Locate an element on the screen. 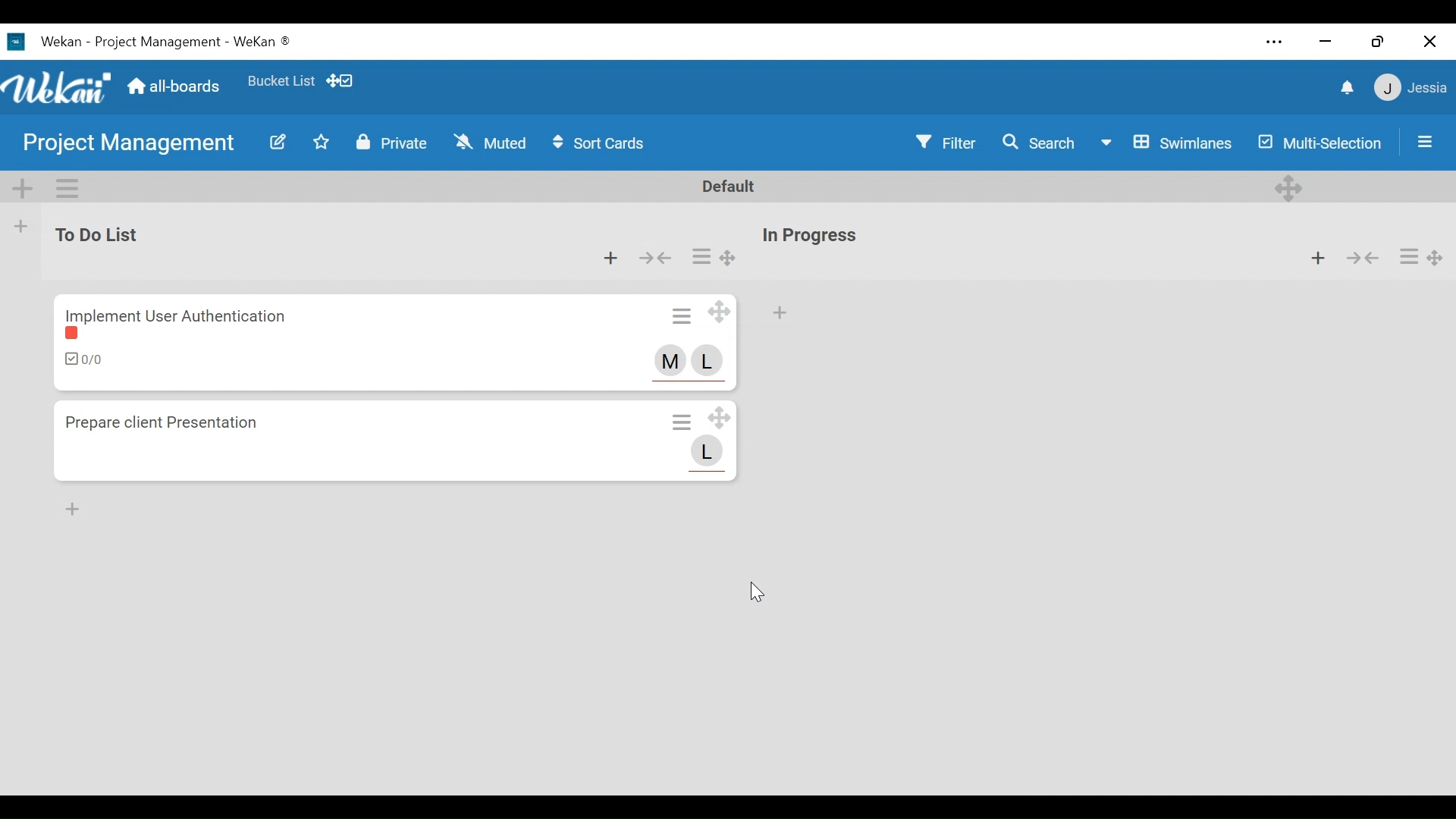 The height and width of the screenshot is (819, 1456). Sort Cards is located at coordinates (601, 143).